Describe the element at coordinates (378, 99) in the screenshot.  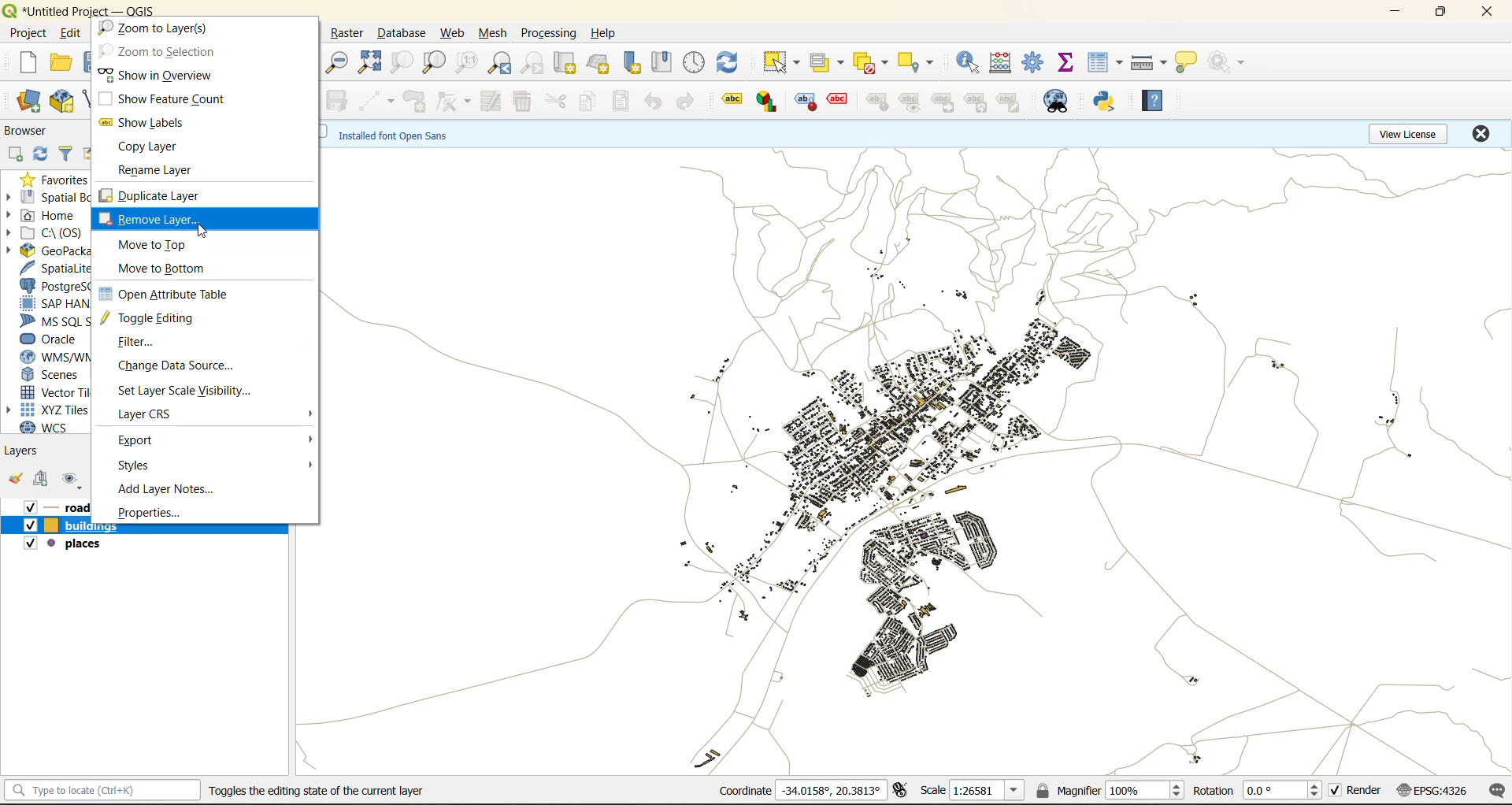
I see `digitize` at that location.